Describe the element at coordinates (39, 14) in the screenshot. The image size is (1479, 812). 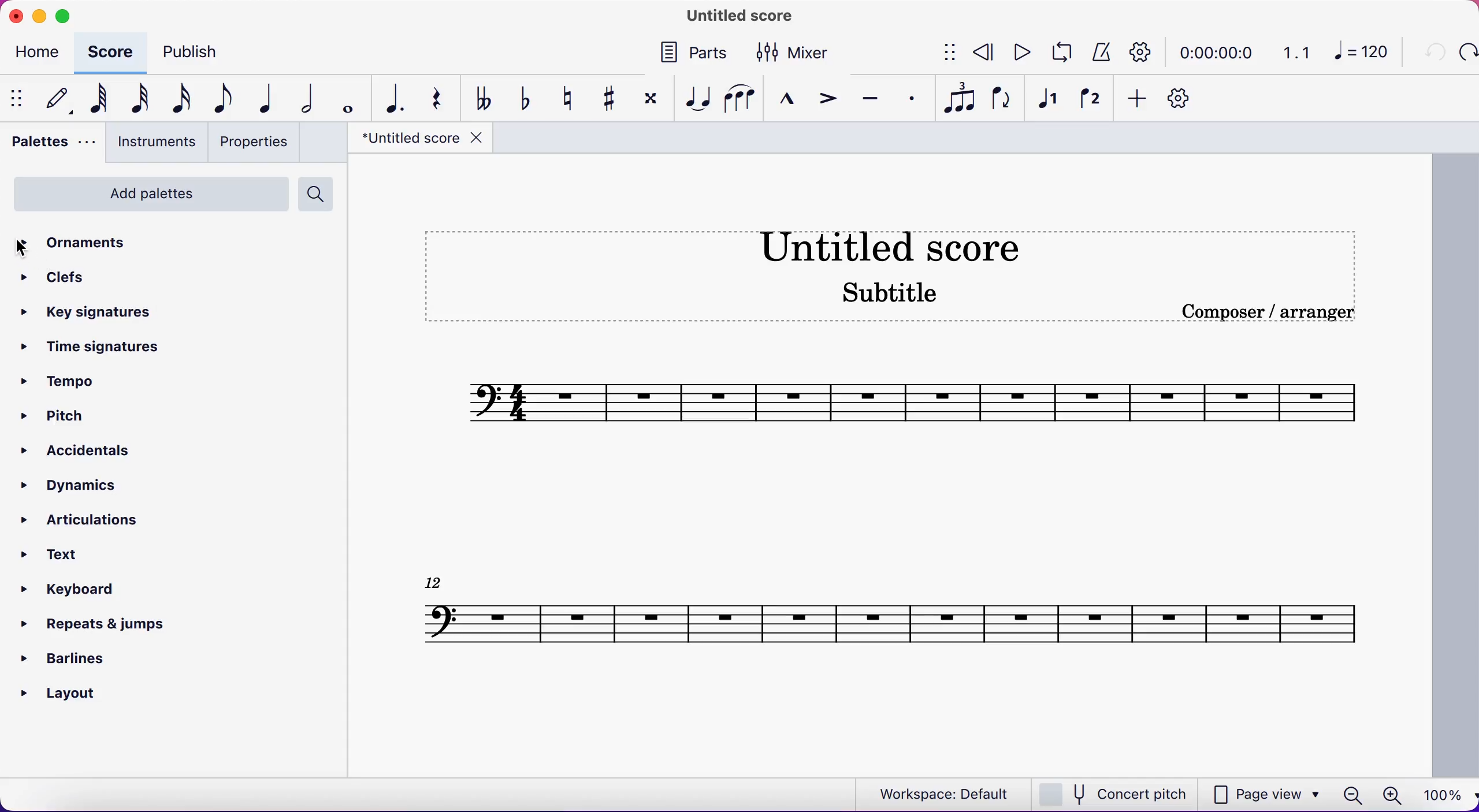
I see `minimize` at that location.